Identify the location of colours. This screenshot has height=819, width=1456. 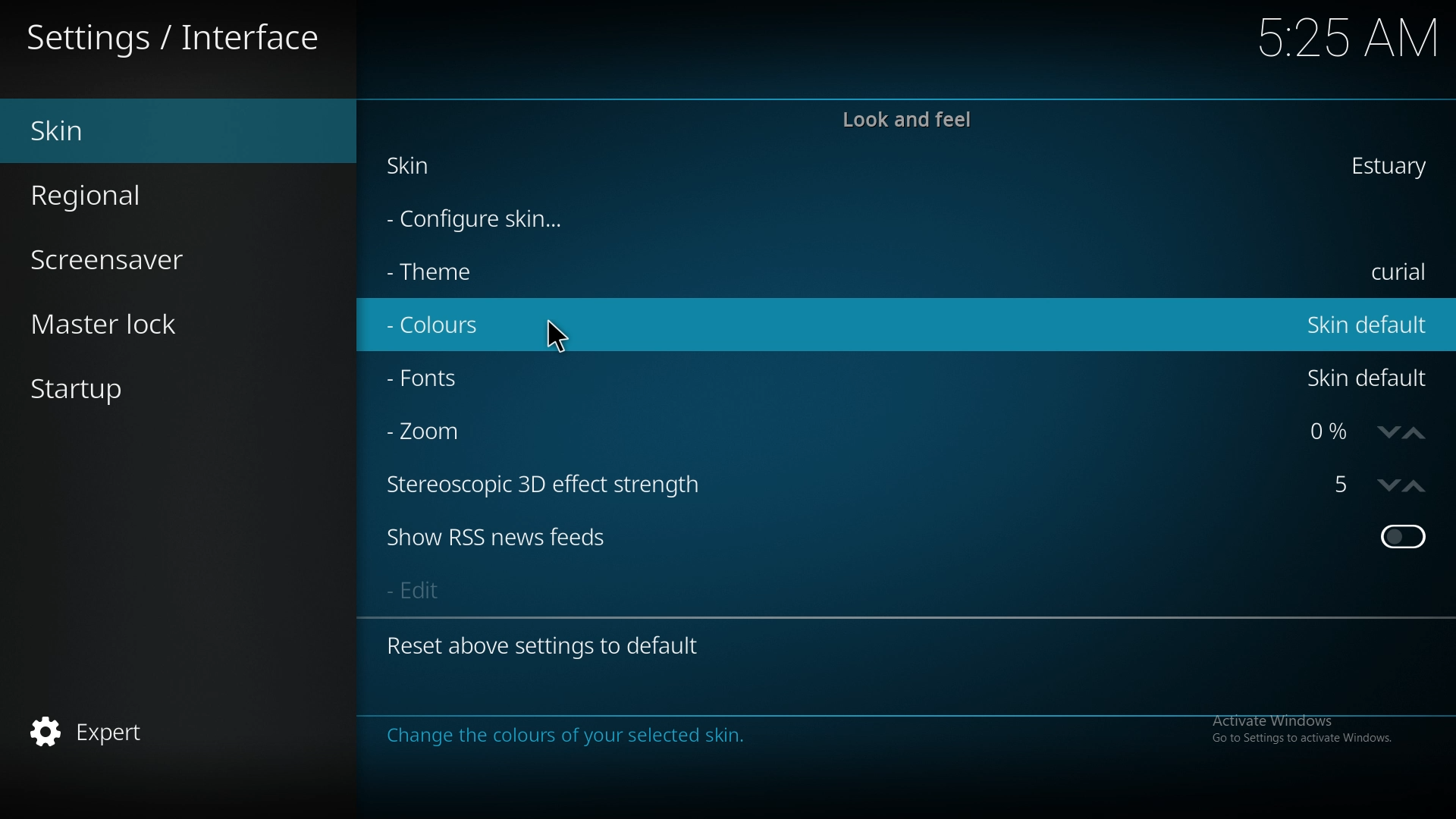
(510, 323).